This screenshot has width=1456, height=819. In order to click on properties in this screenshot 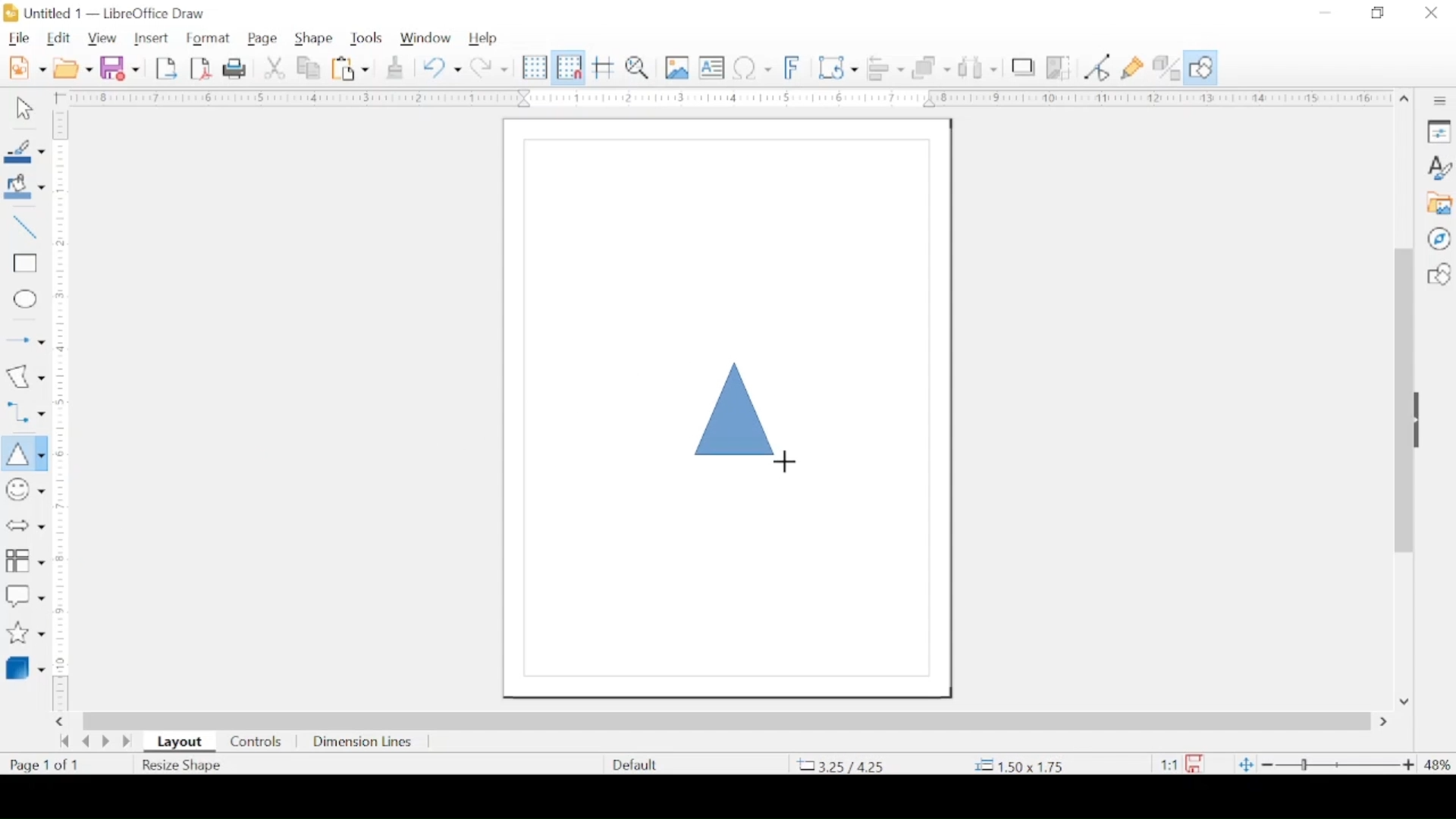, I will do `click(1439, 130)`.